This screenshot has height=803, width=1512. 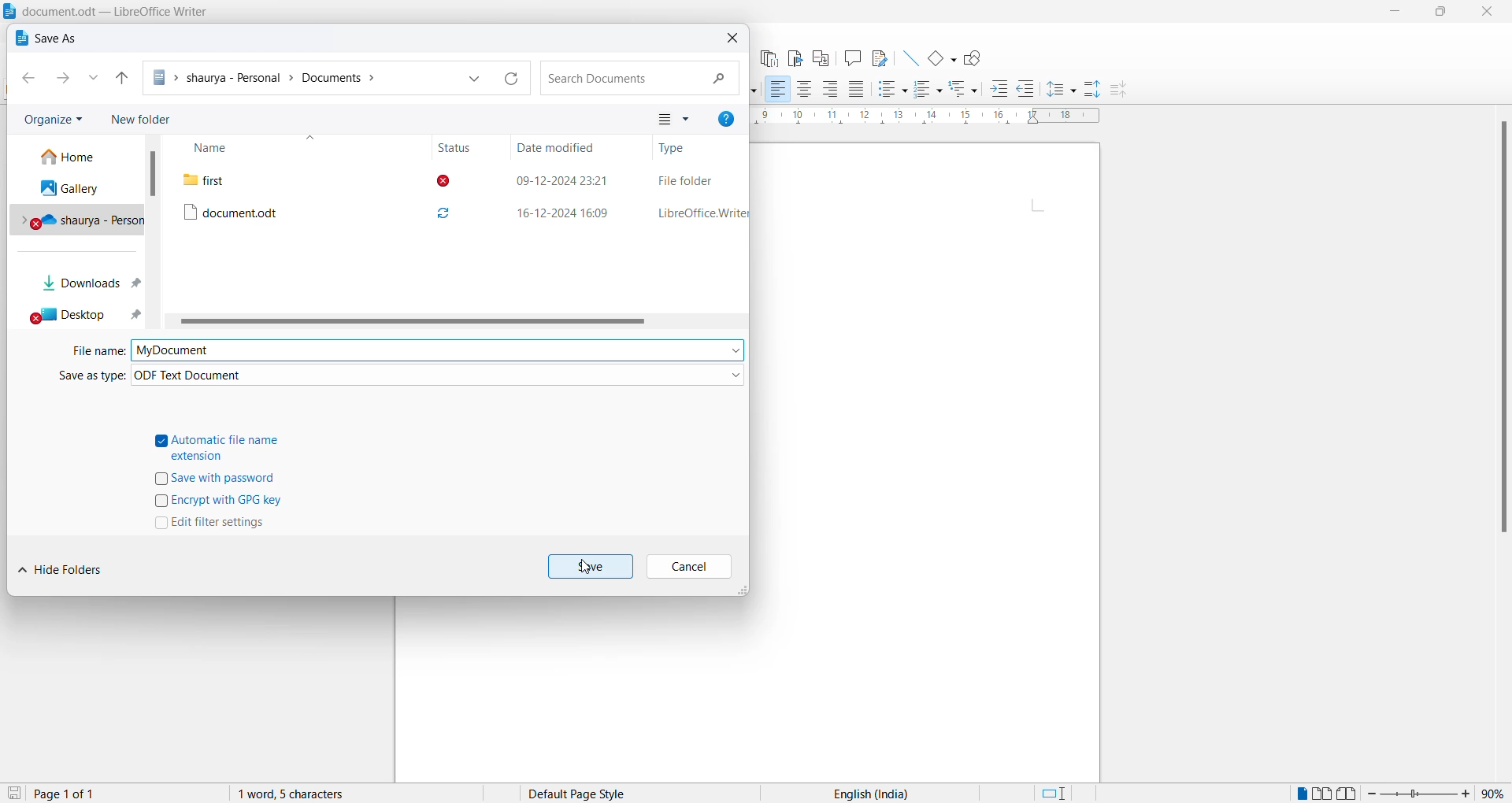 What do you see at coordinates (246, 148) in the screenshot?
I see `Name heading` at bounding box center [246, 148].